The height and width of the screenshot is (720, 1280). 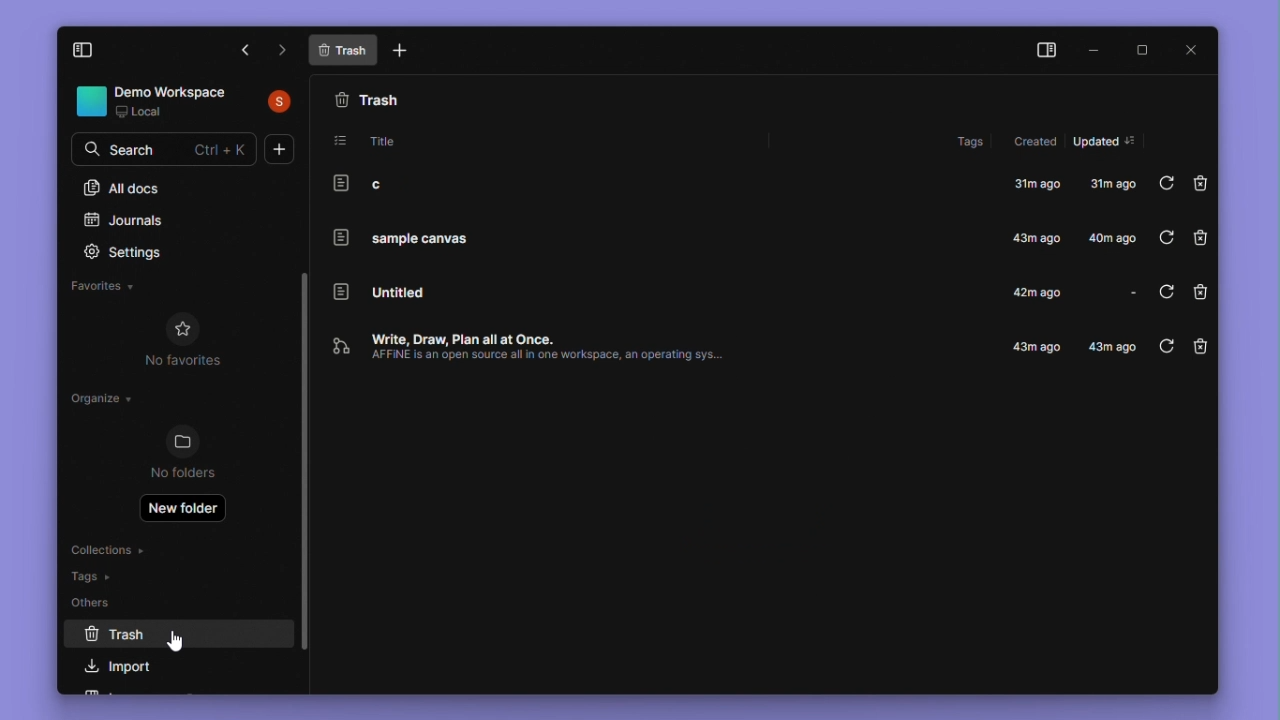 What do you see at coordinates (105, 400) in the screenshot?
I see `Organise` at bounding box center [105, 400].